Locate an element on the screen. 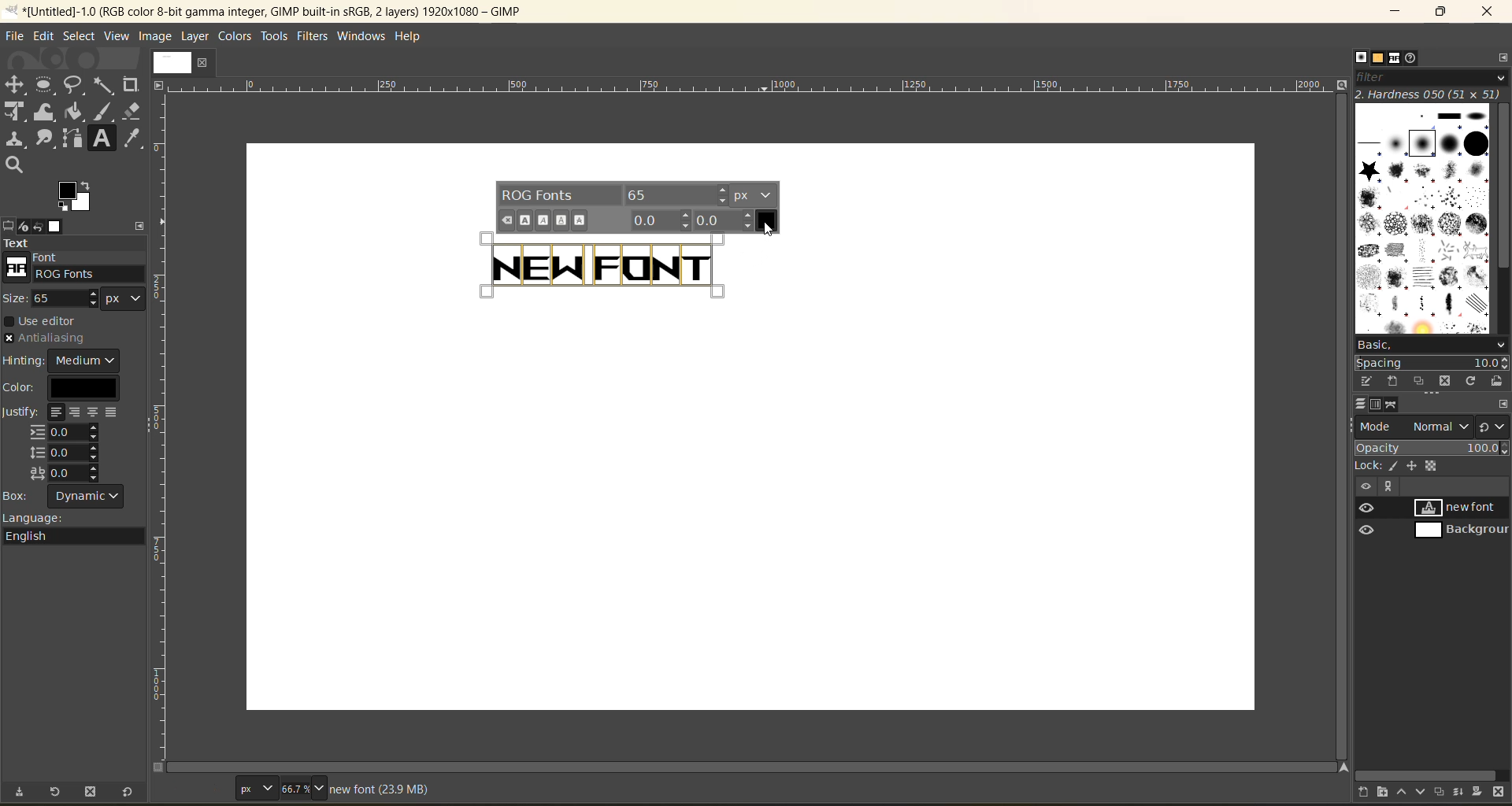 This screenshot has height=806, width=1512. image is located at coordinates (157, 38).